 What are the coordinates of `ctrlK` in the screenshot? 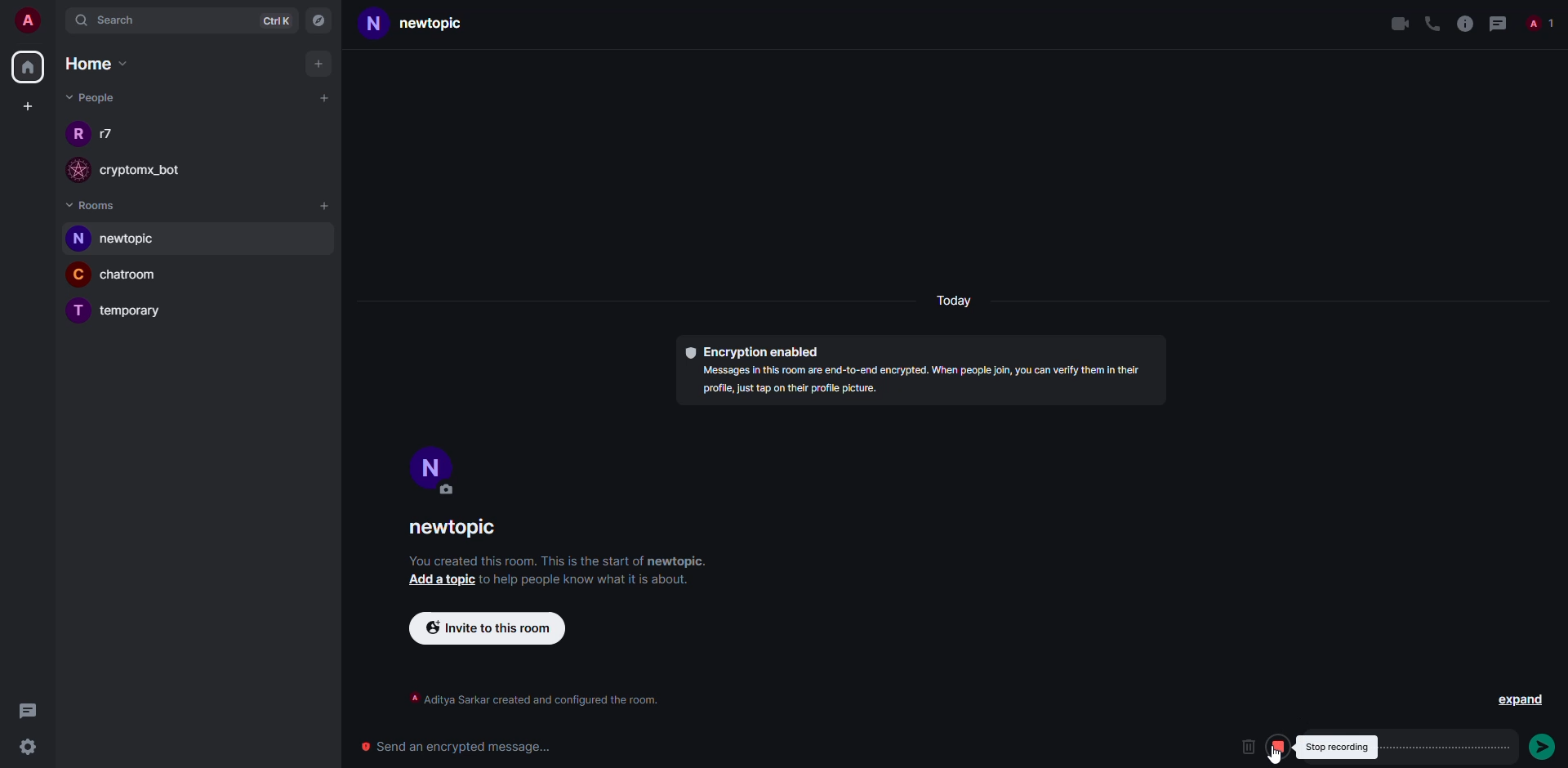 It's located at (274, 22).